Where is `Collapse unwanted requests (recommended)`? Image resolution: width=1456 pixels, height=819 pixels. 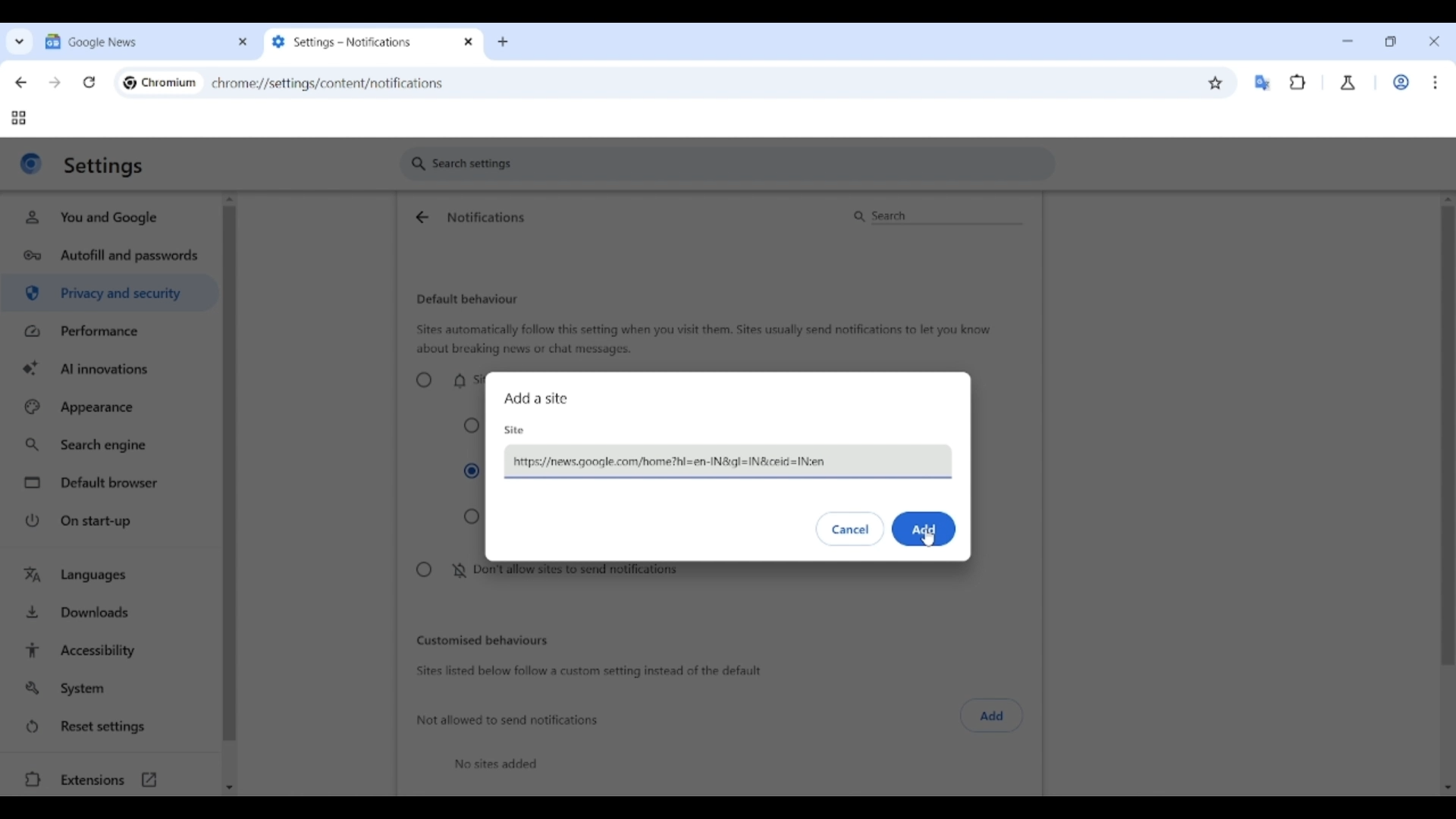 Collapse unwanted requests (recommended) is located at coordinates (472, 472).